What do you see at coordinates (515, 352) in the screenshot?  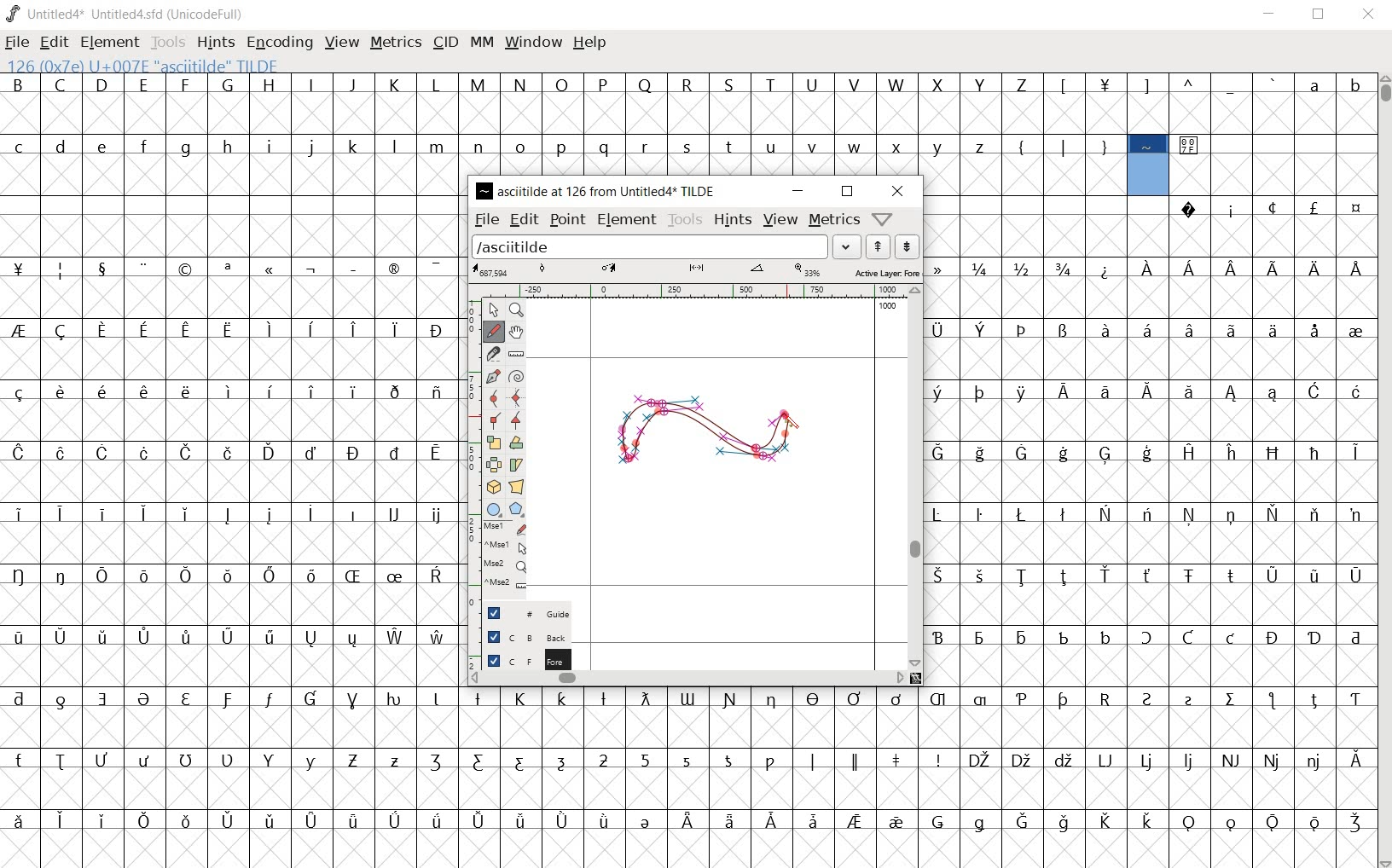 I see `measure a distance, angle between points` at bounding box center [515, 352].